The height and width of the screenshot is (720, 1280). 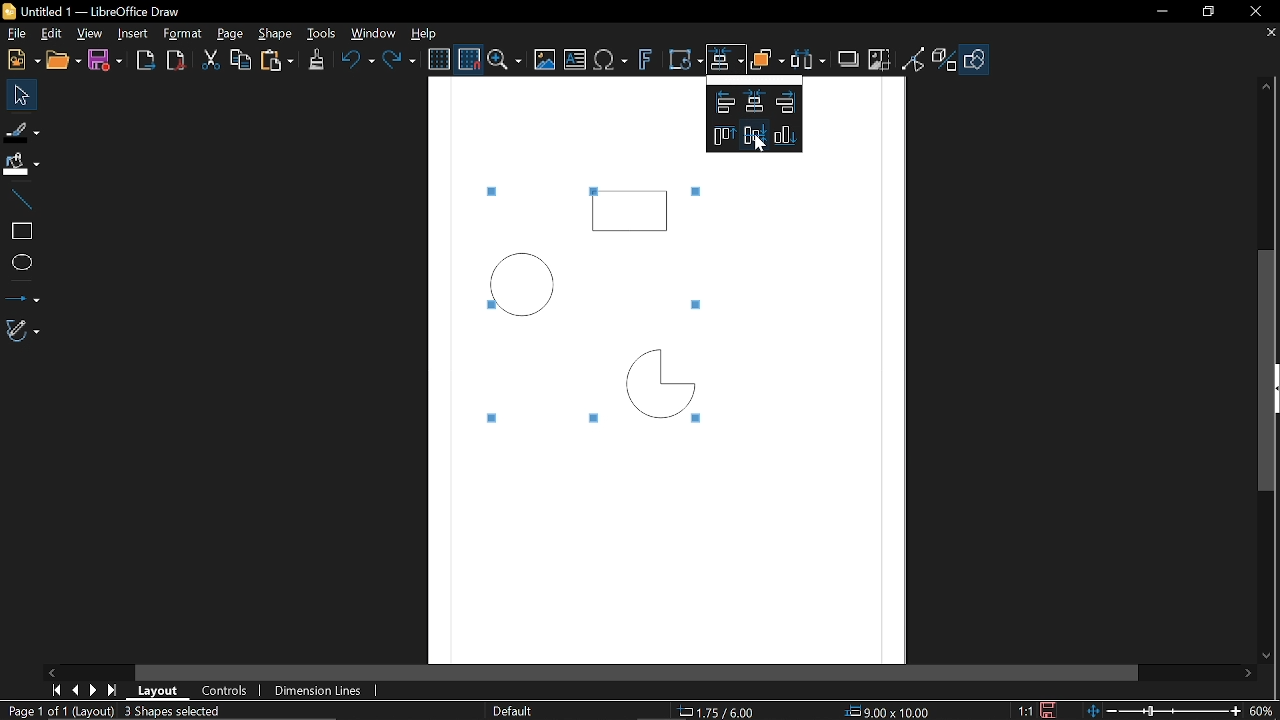 What do you see at coordinates (278, 61) in the screenshot?
I see `paste` at bounding box center [278, 61].